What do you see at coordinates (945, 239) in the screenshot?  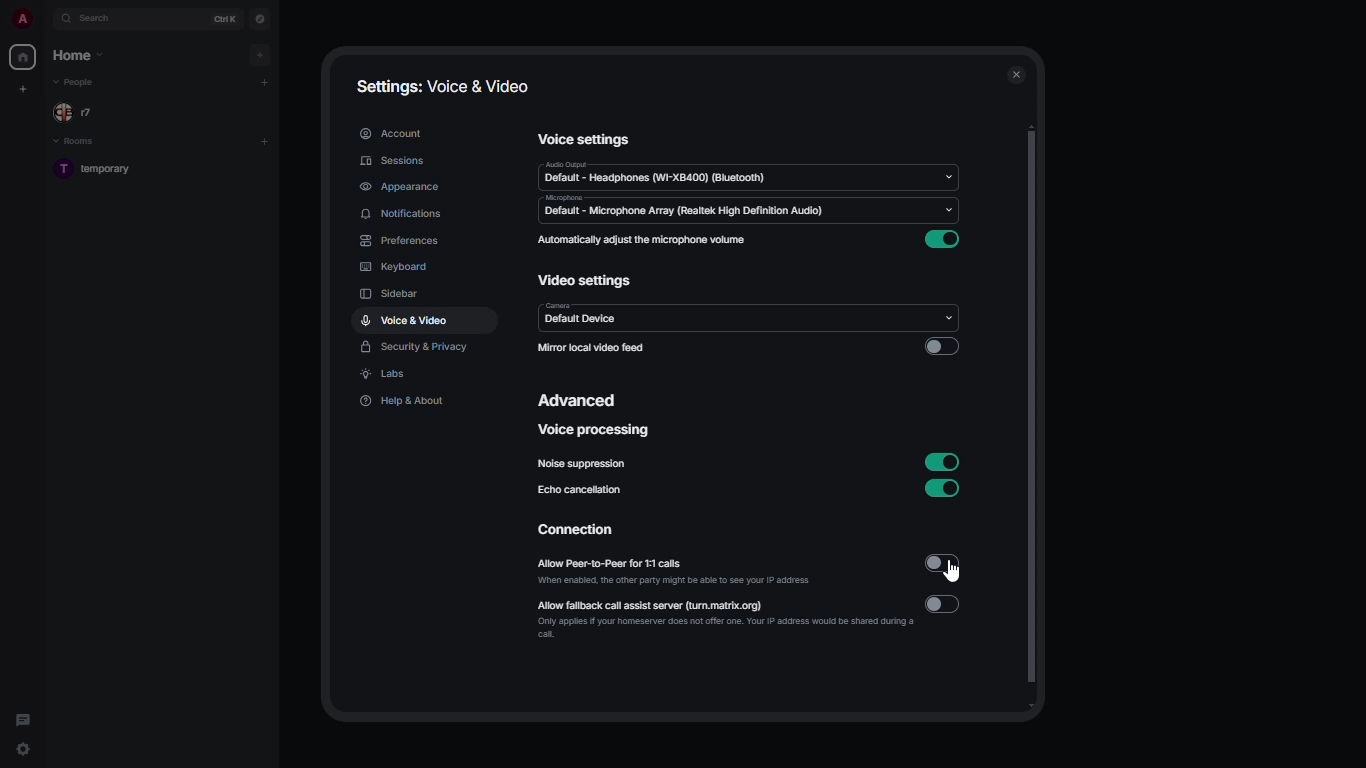 I see `enabled` at bounding box center [945, 239].